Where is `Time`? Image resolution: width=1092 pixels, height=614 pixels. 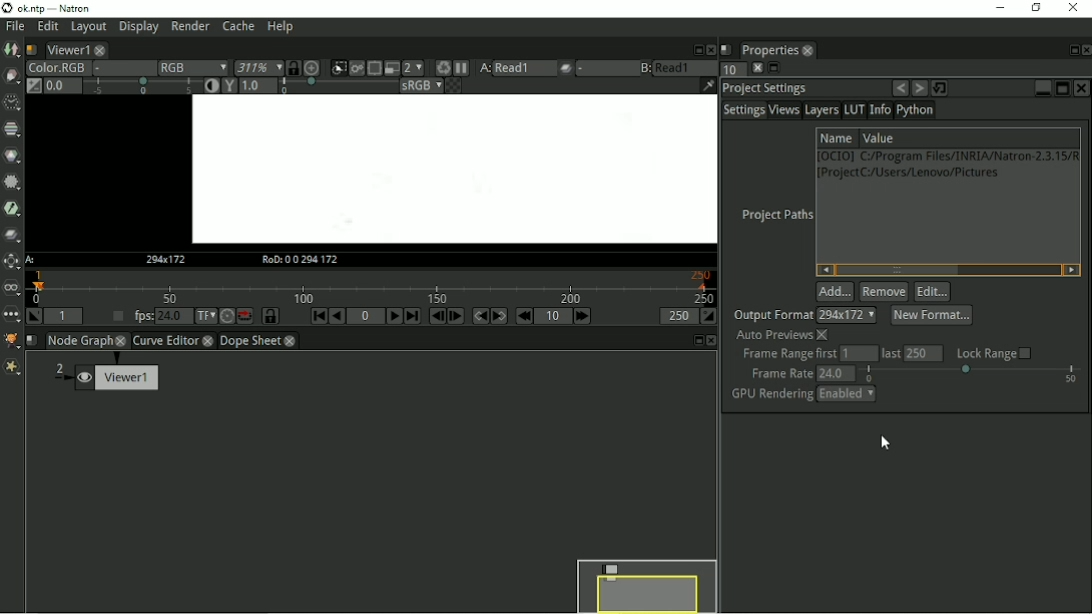
Time is located at coordinates (12, 103).